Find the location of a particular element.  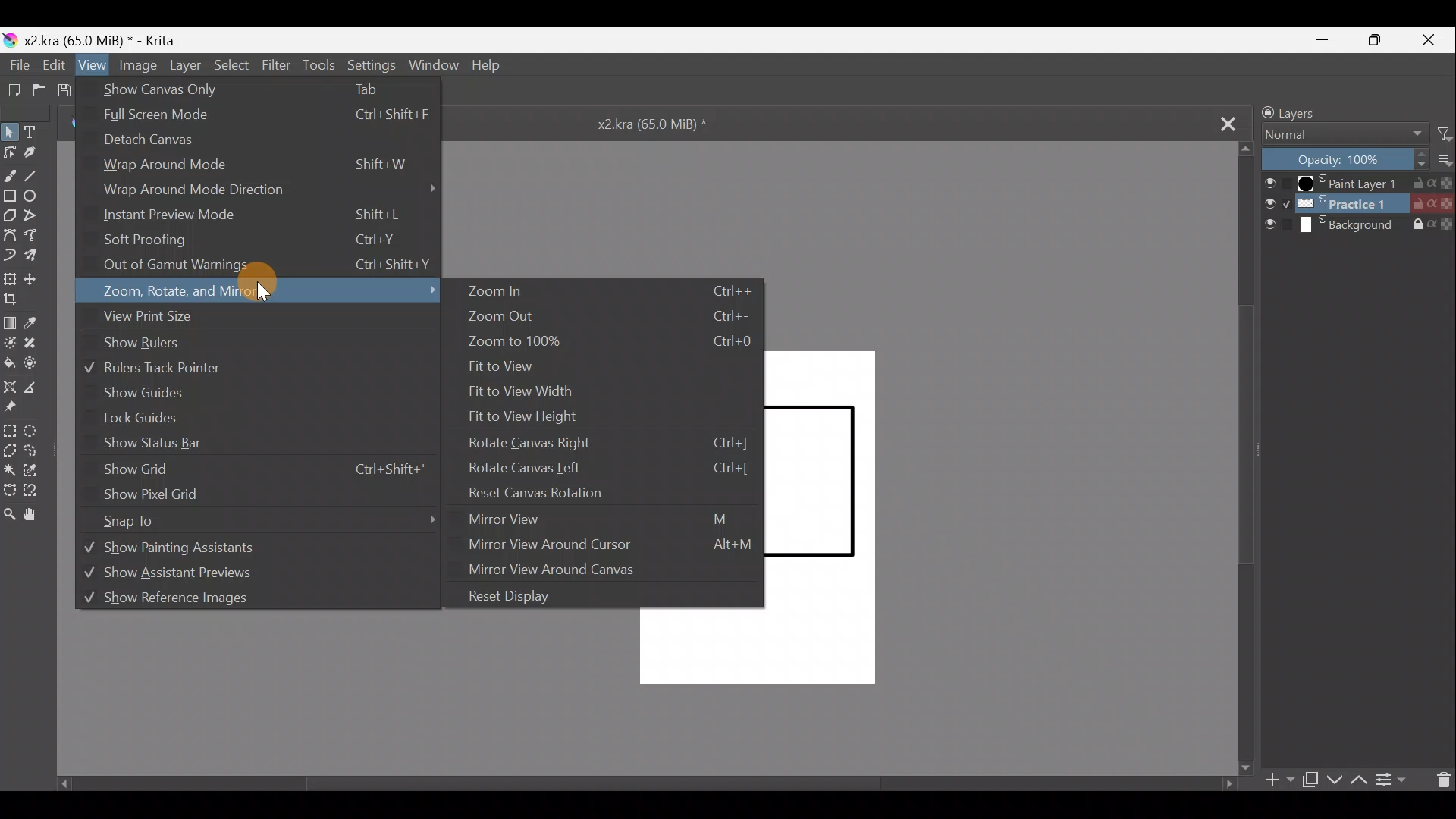

Text tool is located at coordinates (38, 130).